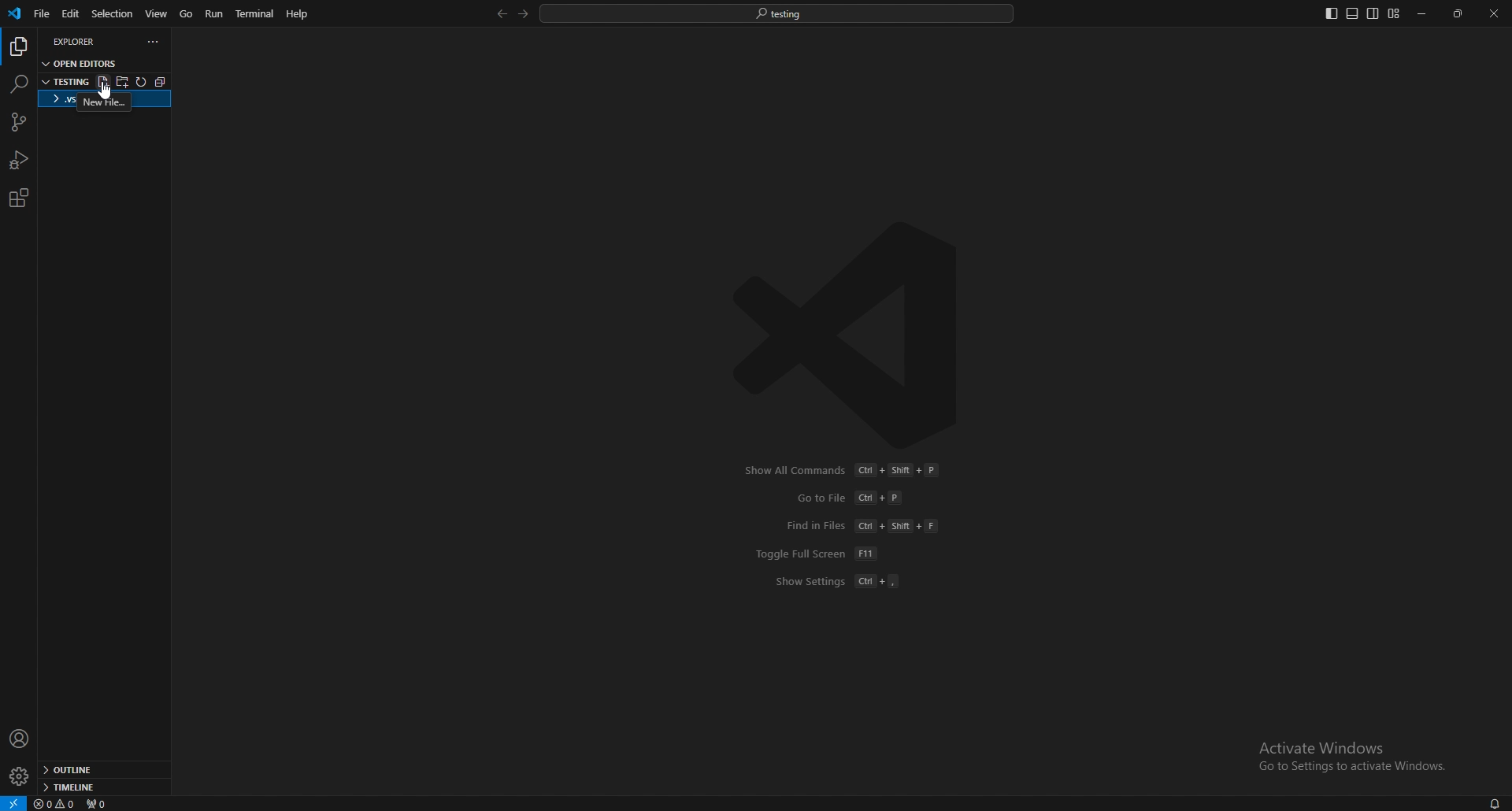  Describe the element at coordinates (20, 739) in the screenshot. I see `profile` at that location.